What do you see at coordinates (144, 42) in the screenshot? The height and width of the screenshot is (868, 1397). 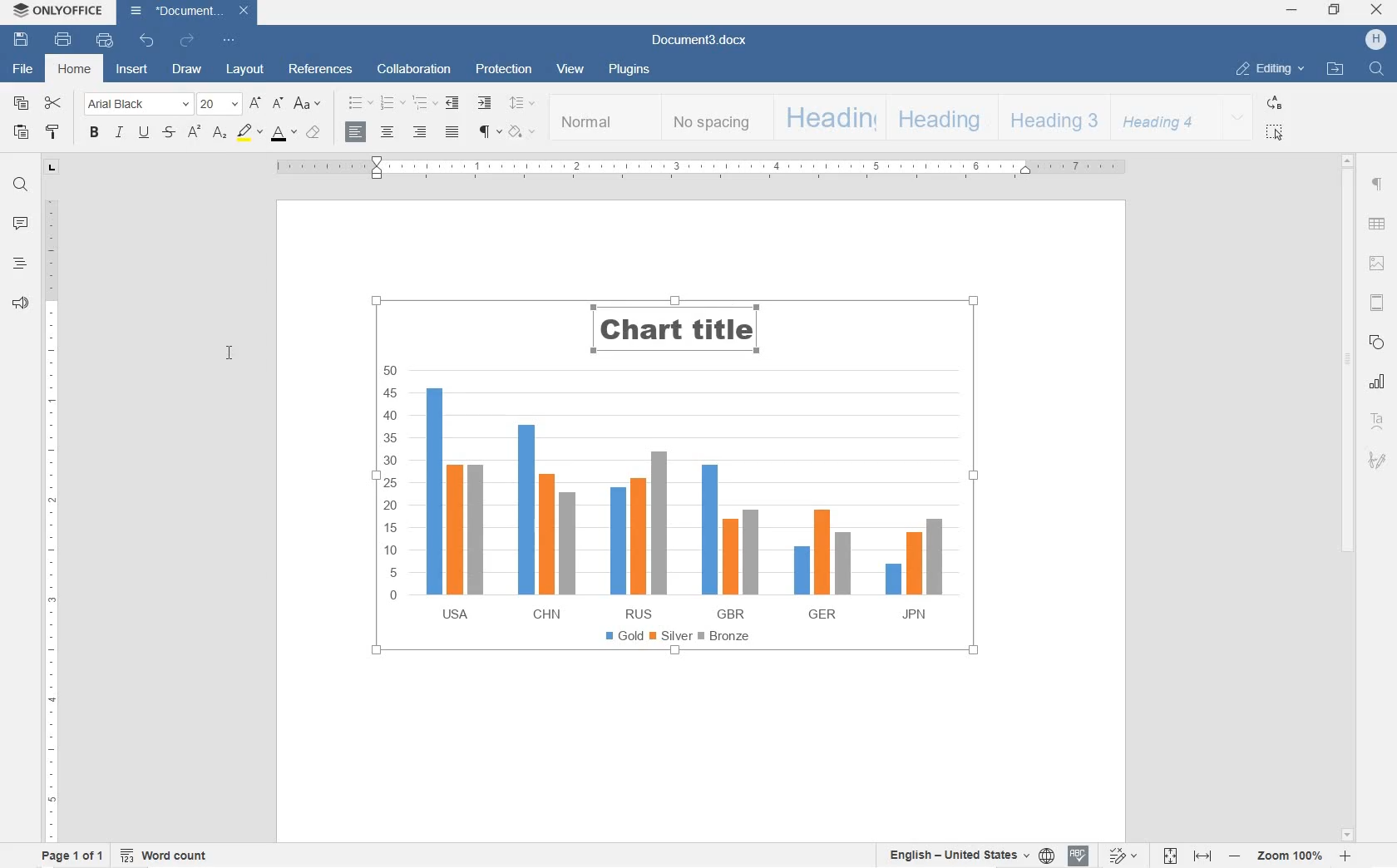 I see `UNDO` at bounding box center [144, 42].